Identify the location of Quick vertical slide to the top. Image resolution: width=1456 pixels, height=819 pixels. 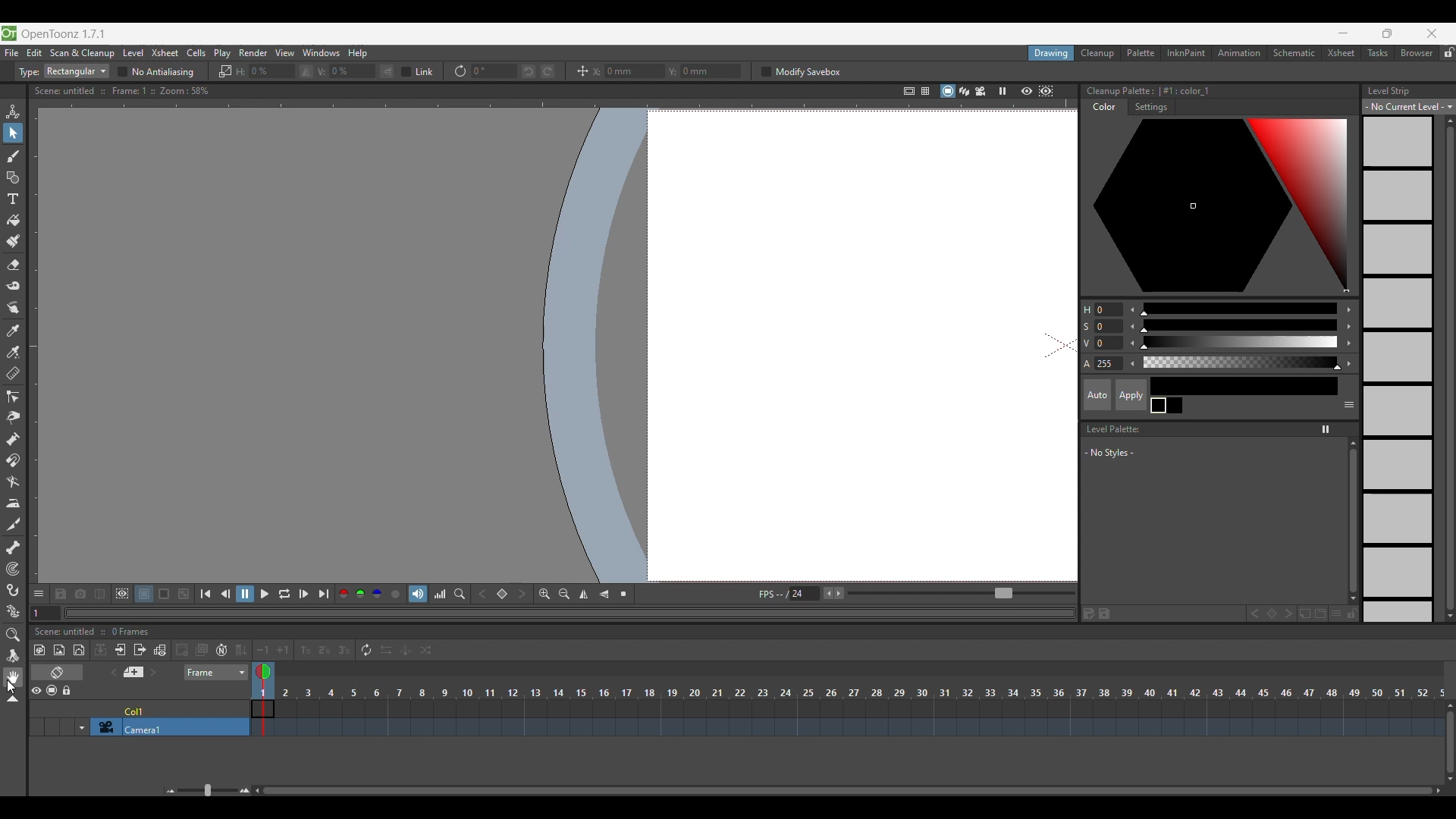
(1353, 442).